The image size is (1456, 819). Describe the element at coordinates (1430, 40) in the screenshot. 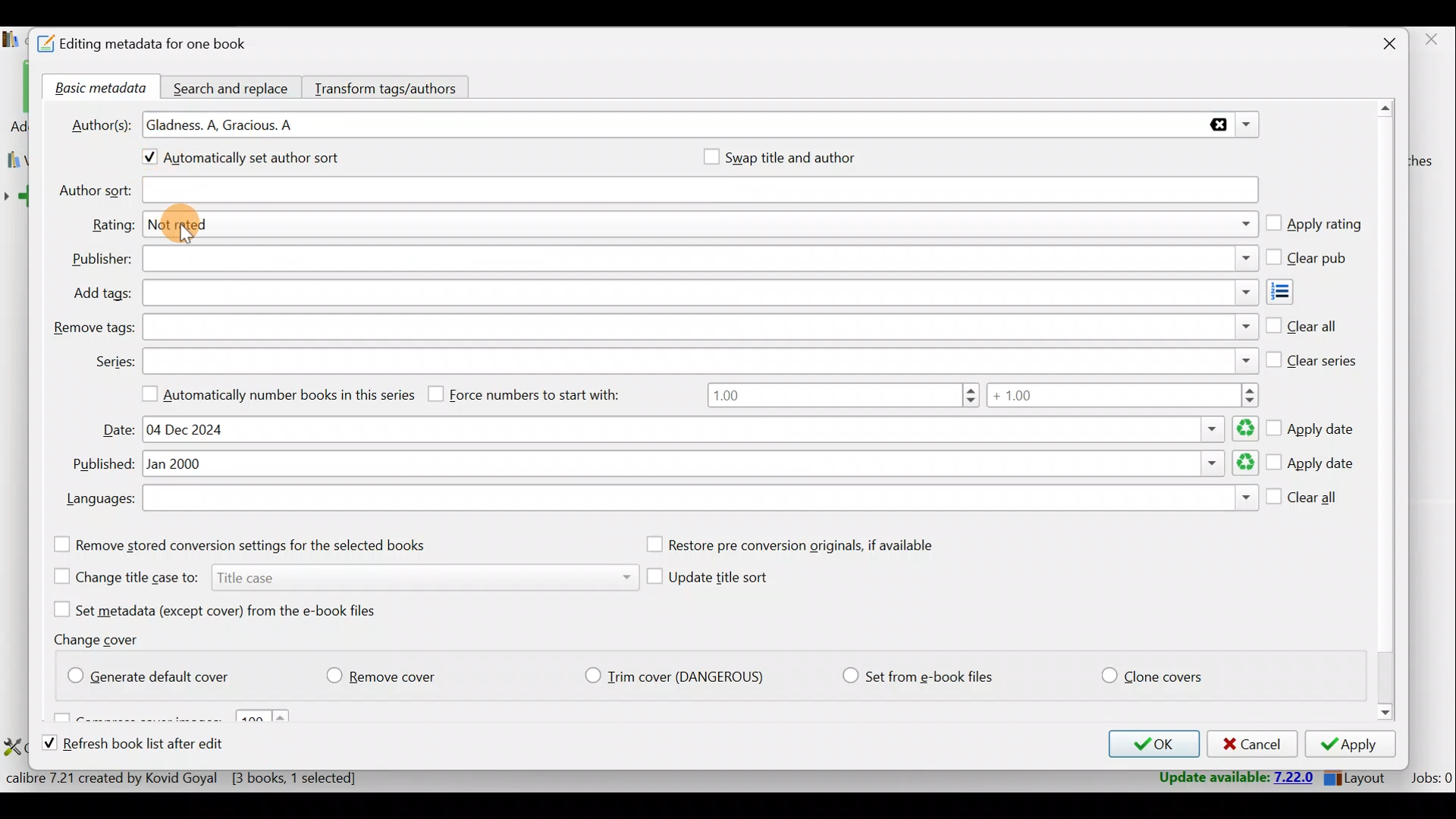

I see `close` at that location.